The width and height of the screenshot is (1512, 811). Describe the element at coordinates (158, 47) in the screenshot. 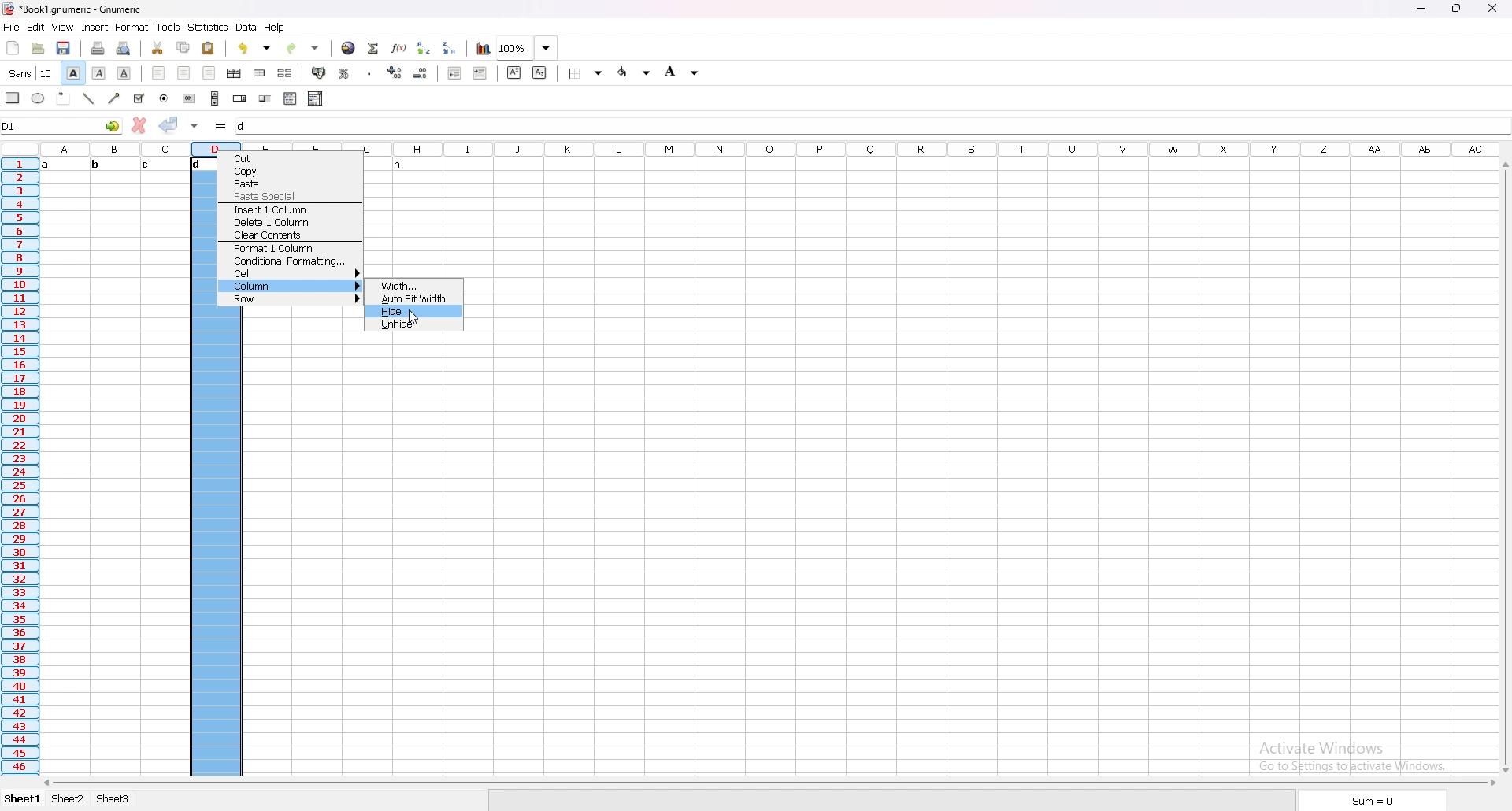

I see `cut` at that location.